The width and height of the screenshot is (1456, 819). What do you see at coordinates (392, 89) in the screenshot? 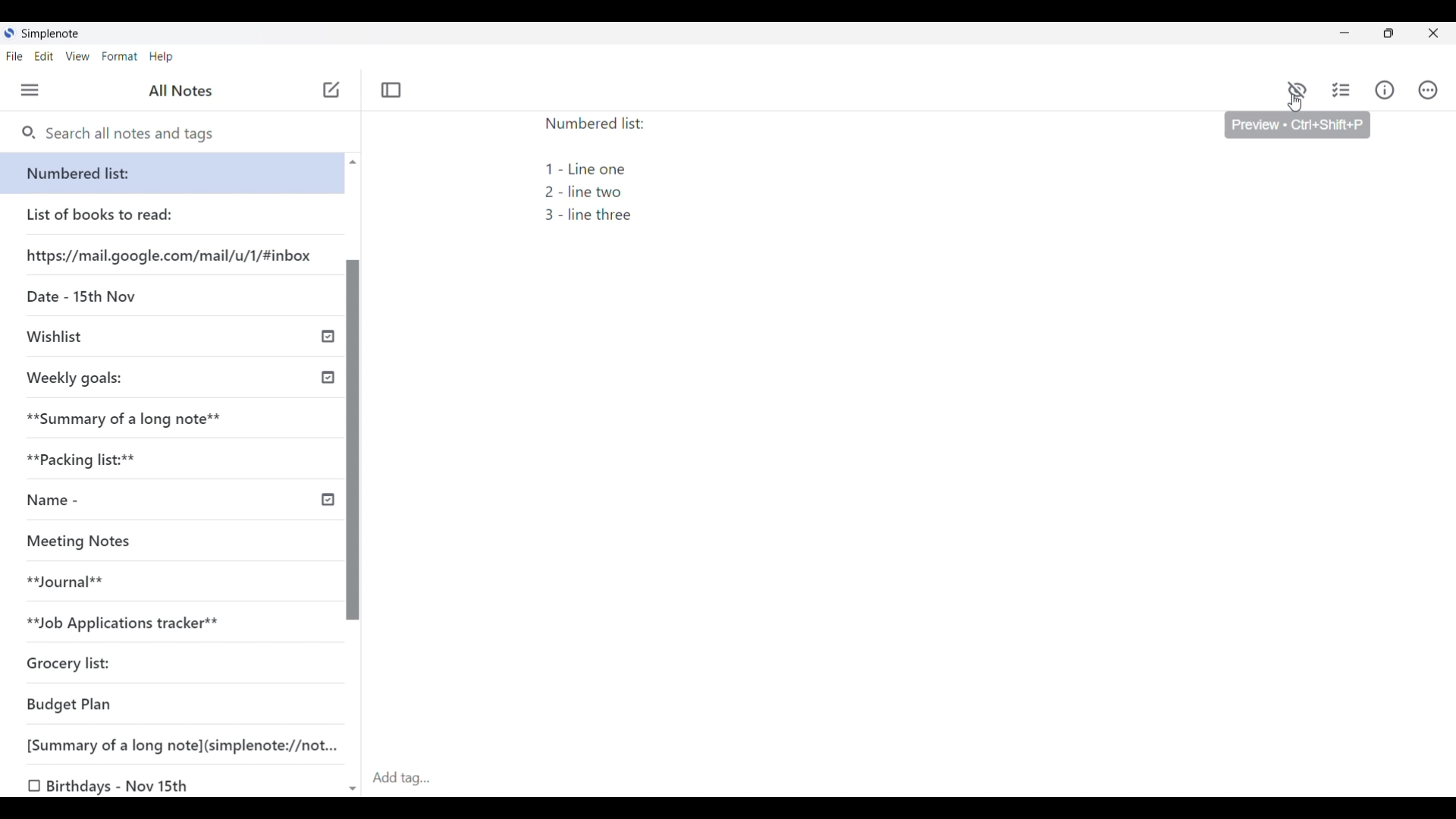
I see `Toggle focus mode` at bounding box center [392, 89].